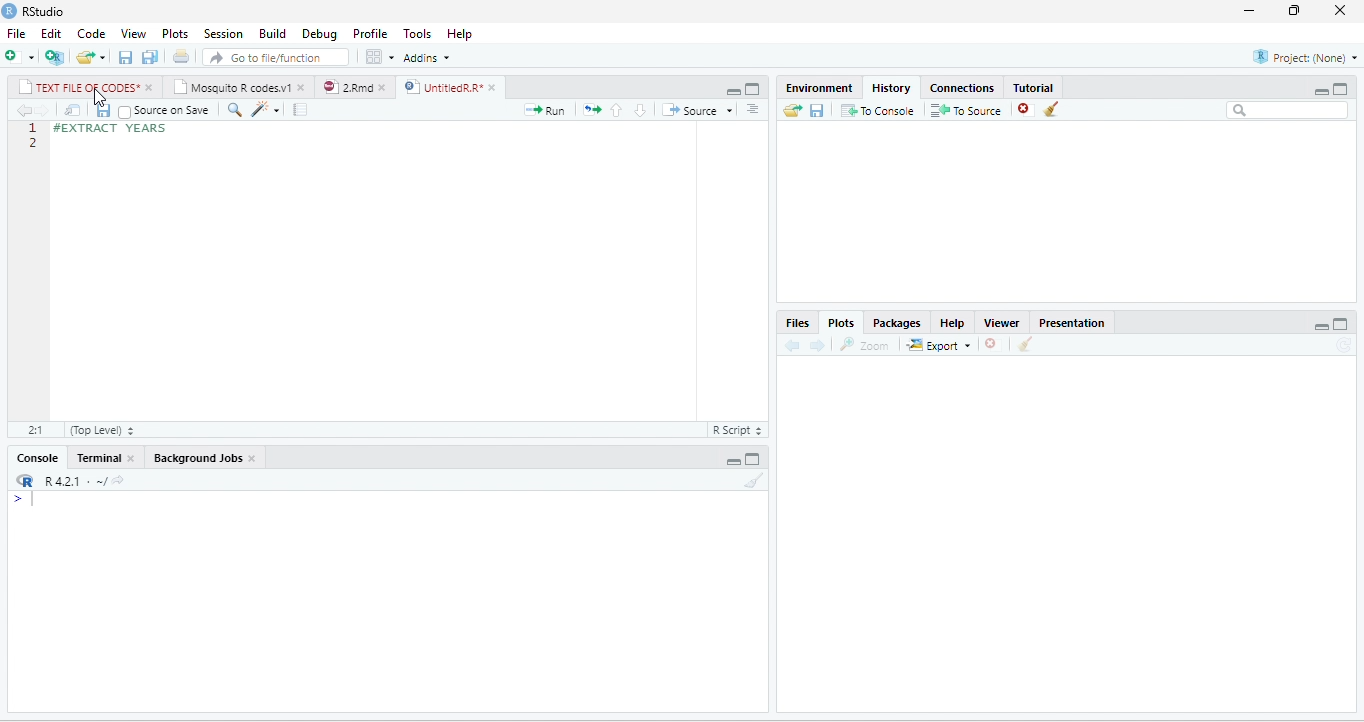  What do you see at coordinates (32, 135) in the screenshot?
I see `line numbering` at bounding box center [32, 135].